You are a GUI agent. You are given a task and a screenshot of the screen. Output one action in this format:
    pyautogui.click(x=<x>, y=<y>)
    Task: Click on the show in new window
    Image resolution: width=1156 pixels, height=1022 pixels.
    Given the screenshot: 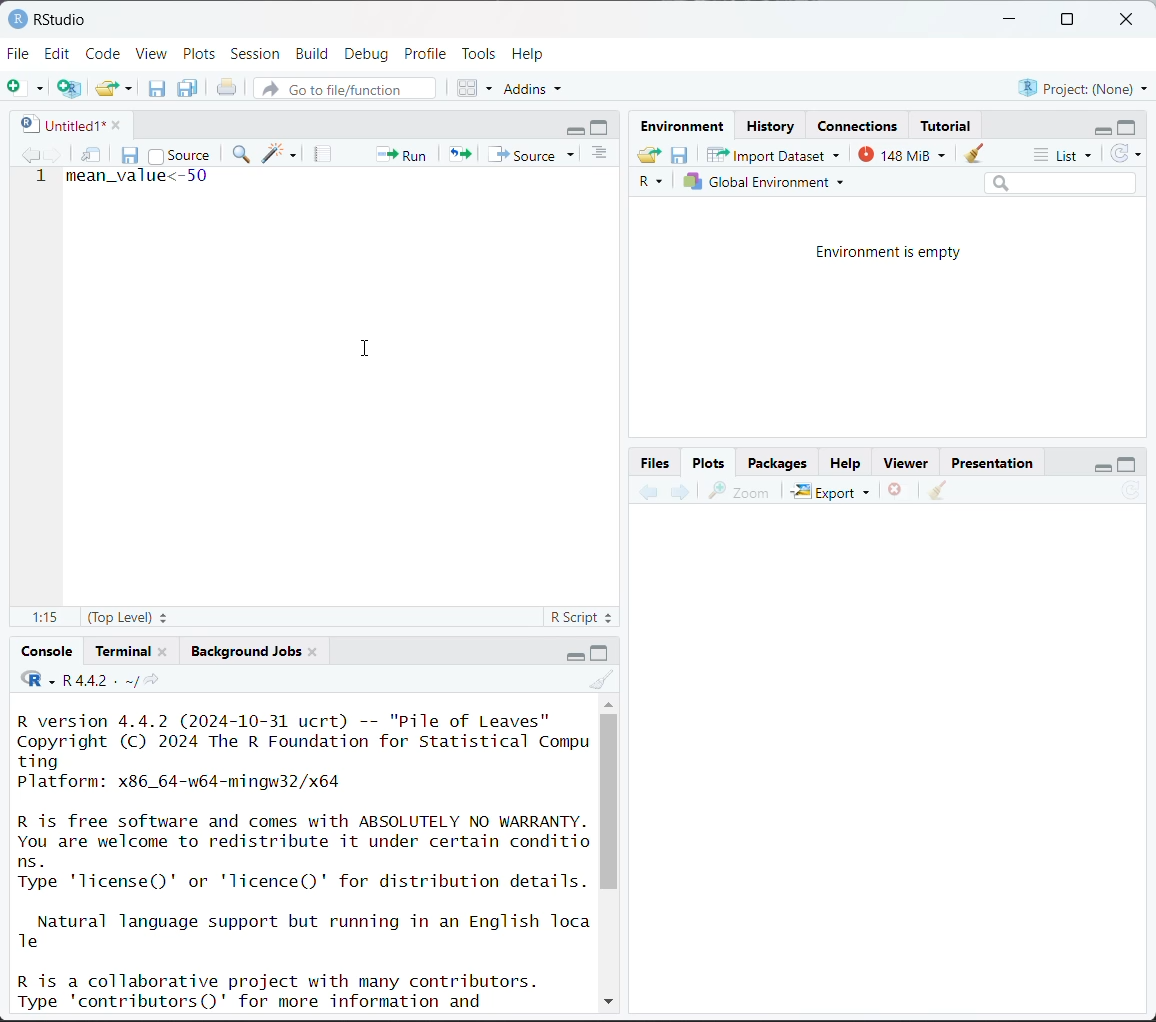 What is the action you would take?
    pyautogui.click(x=93, y=156)
    